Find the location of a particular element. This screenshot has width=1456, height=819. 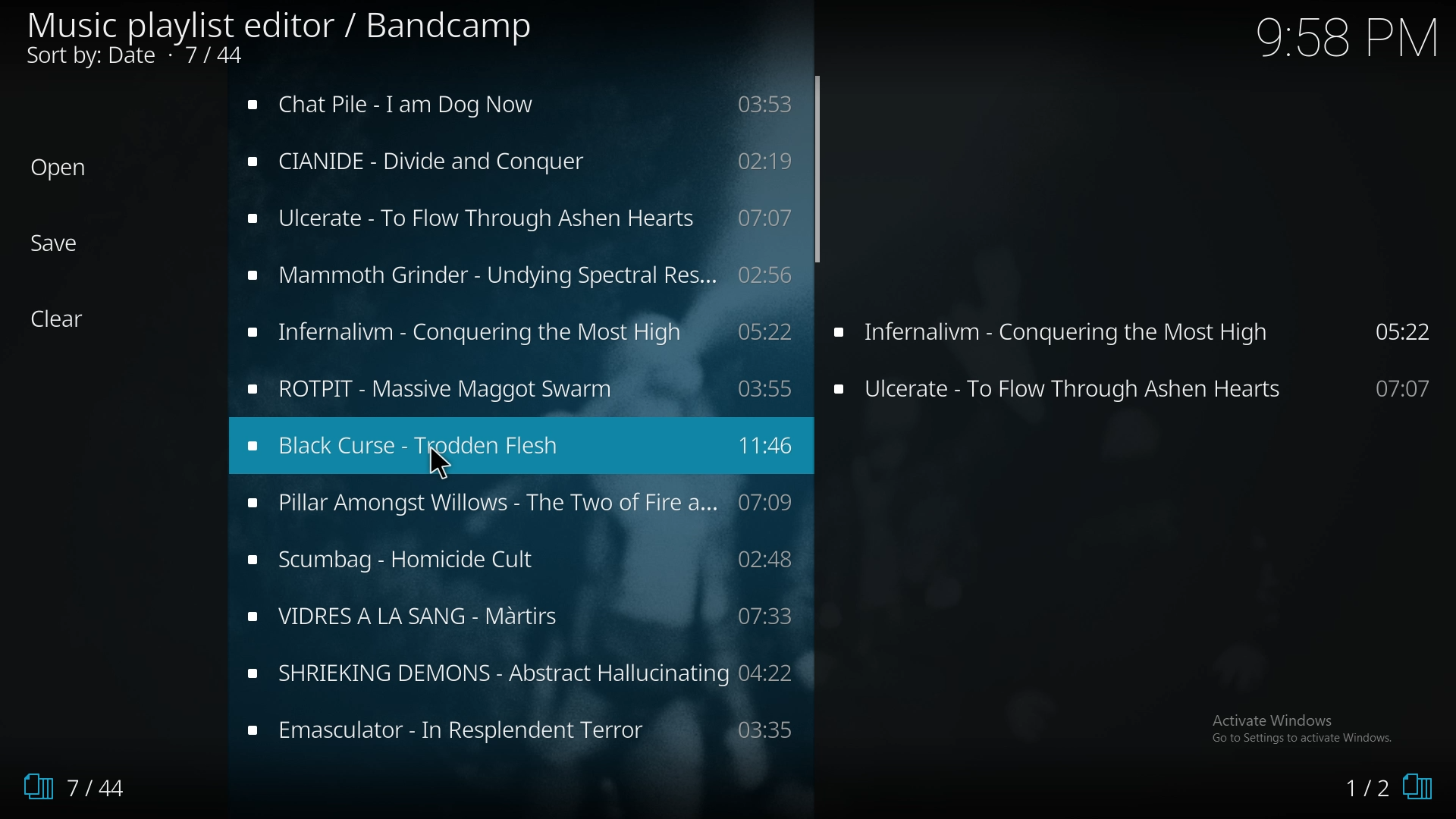

music is located at coordinates (524, 671).